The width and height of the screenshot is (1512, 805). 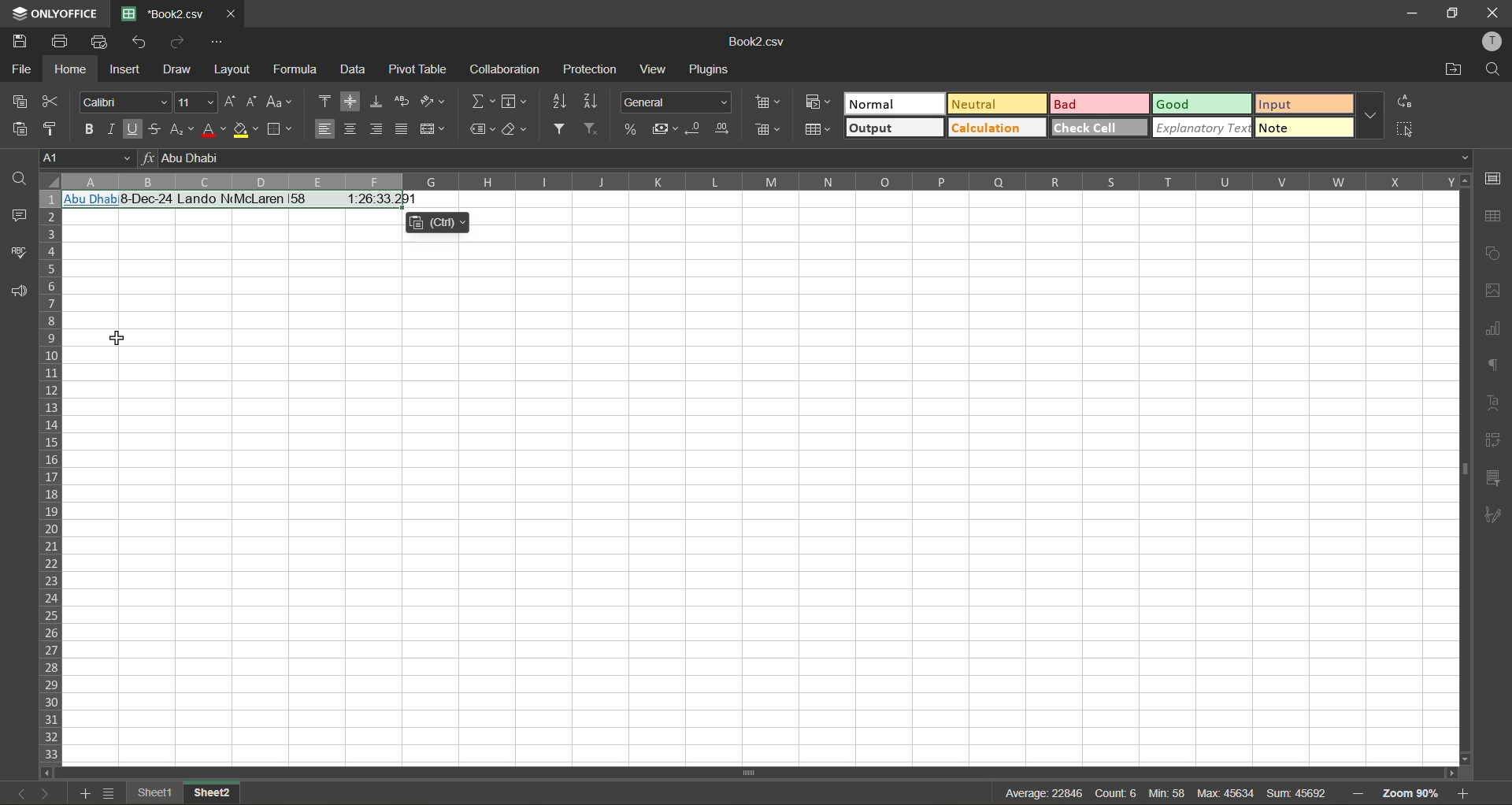 What do you see at coordinates (17, 250) in the screenshot?
I see `spell check` at bounding box center [17, 250].